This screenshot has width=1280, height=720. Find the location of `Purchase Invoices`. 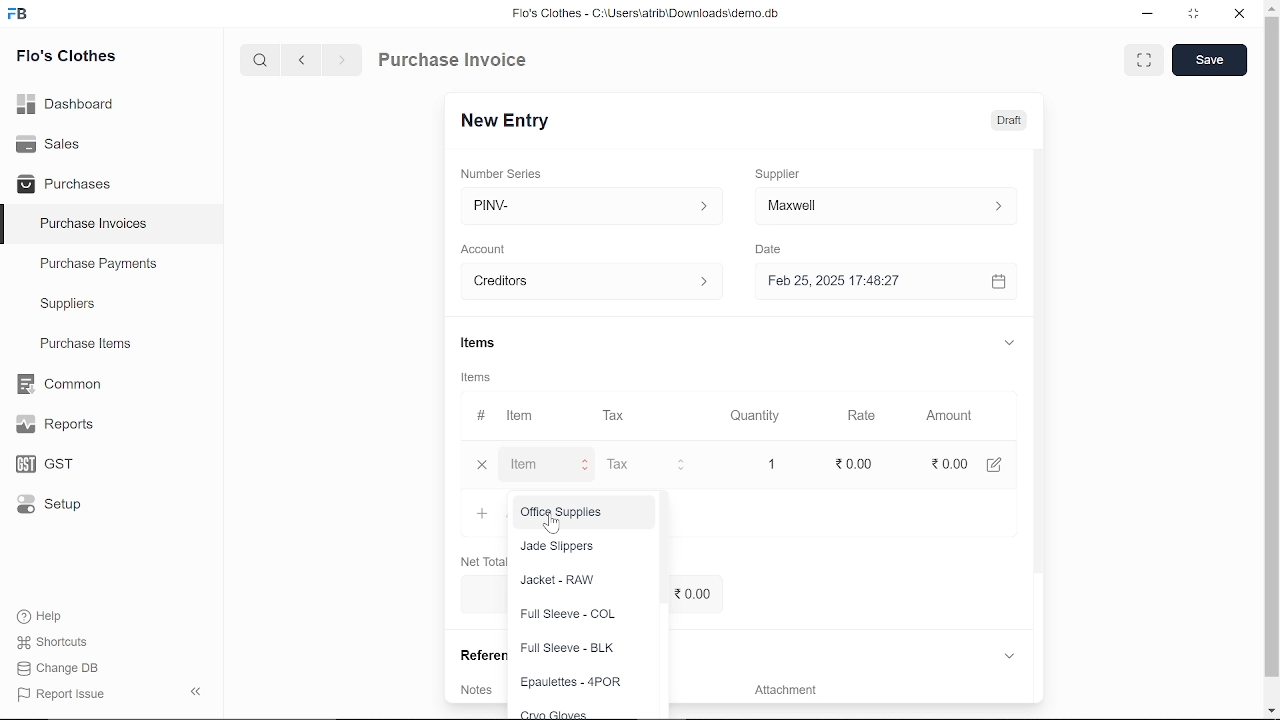

Purchase Invoices is located at coordinates (94, 226).